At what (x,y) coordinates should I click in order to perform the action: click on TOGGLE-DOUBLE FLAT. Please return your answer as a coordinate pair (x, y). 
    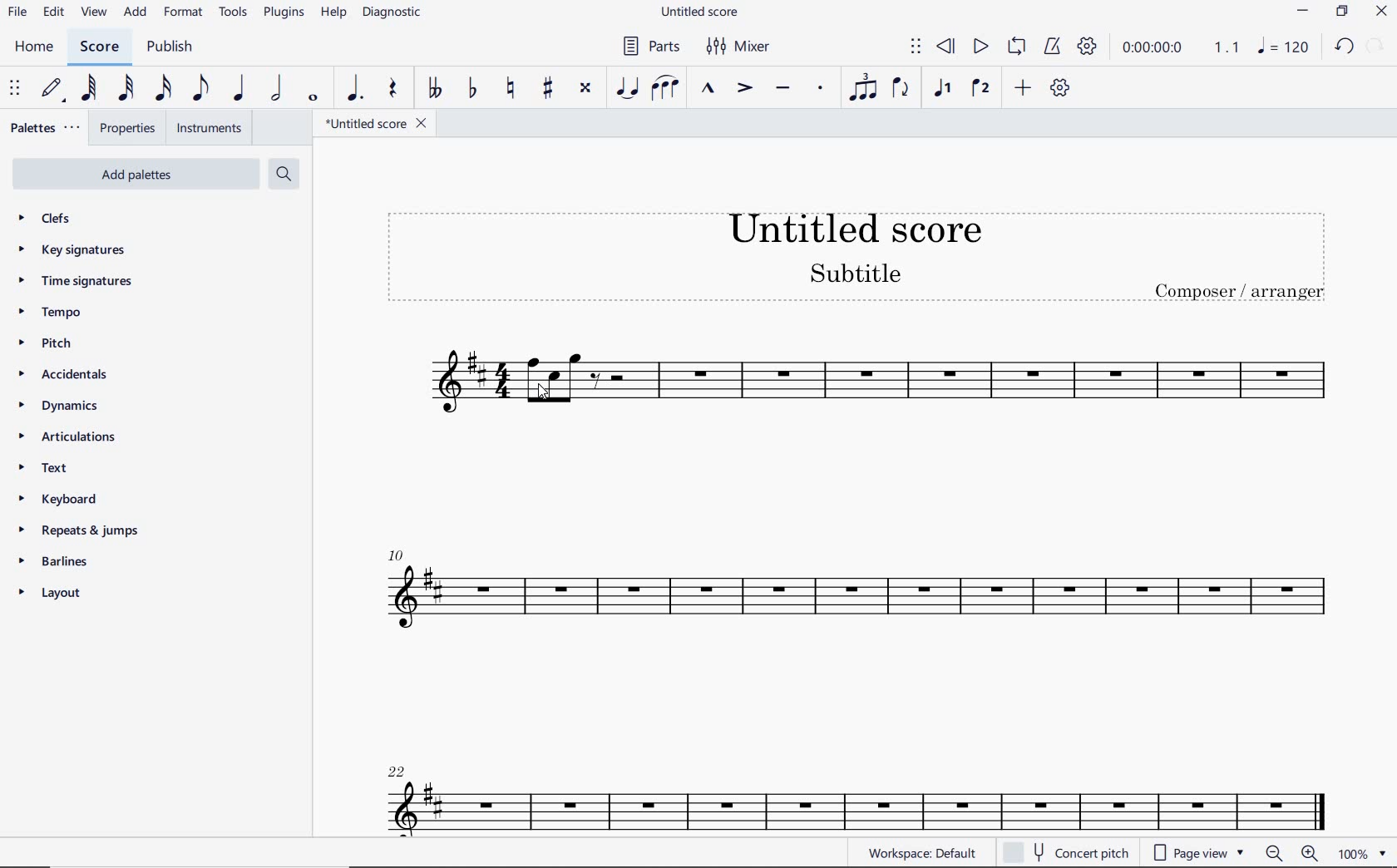
    Looking at the image, I should click on (435, 86).